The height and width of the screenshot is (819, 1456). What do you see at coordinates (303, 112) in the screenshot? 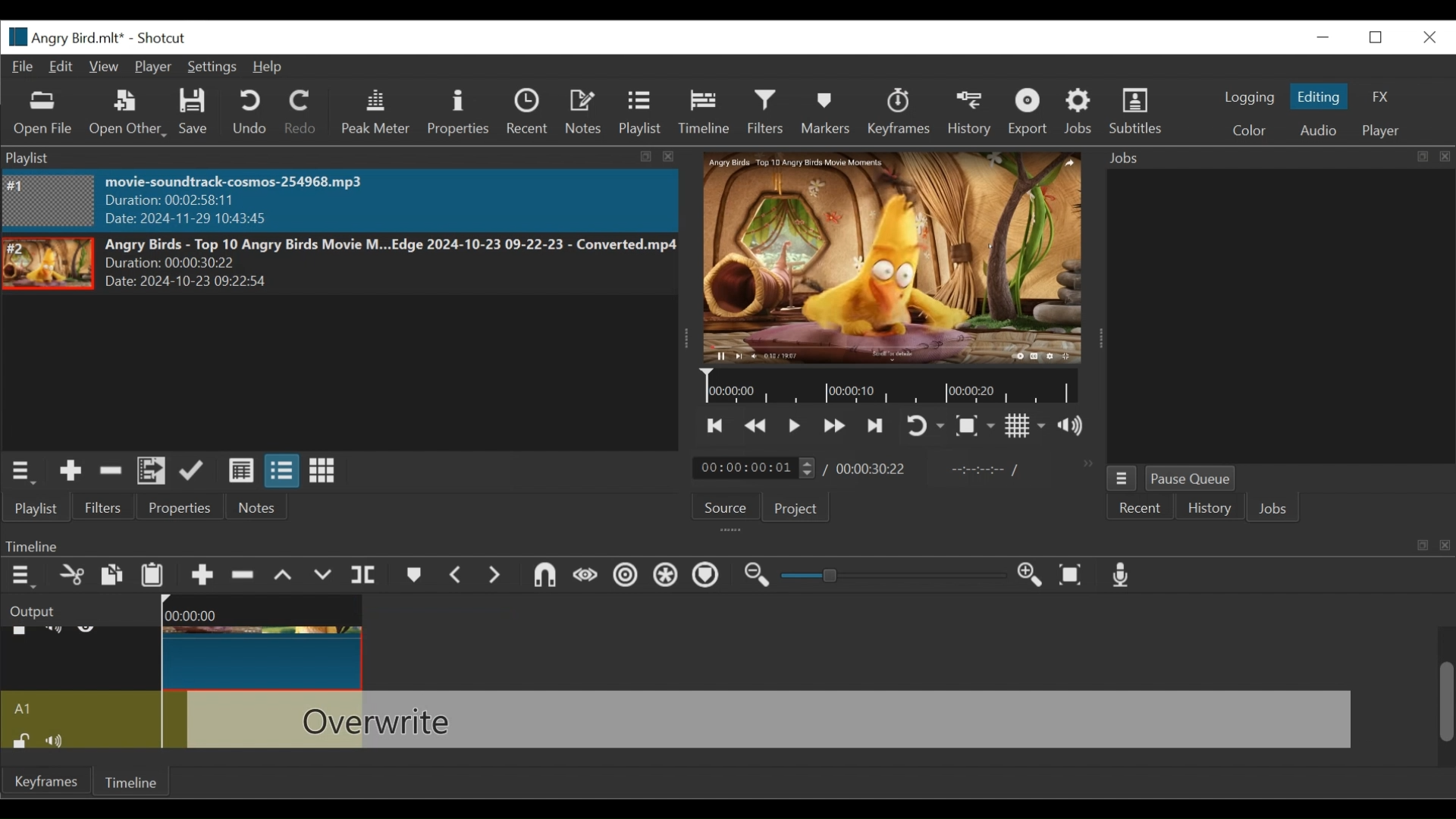
I see `Redo` at bounding box center [303, 112].